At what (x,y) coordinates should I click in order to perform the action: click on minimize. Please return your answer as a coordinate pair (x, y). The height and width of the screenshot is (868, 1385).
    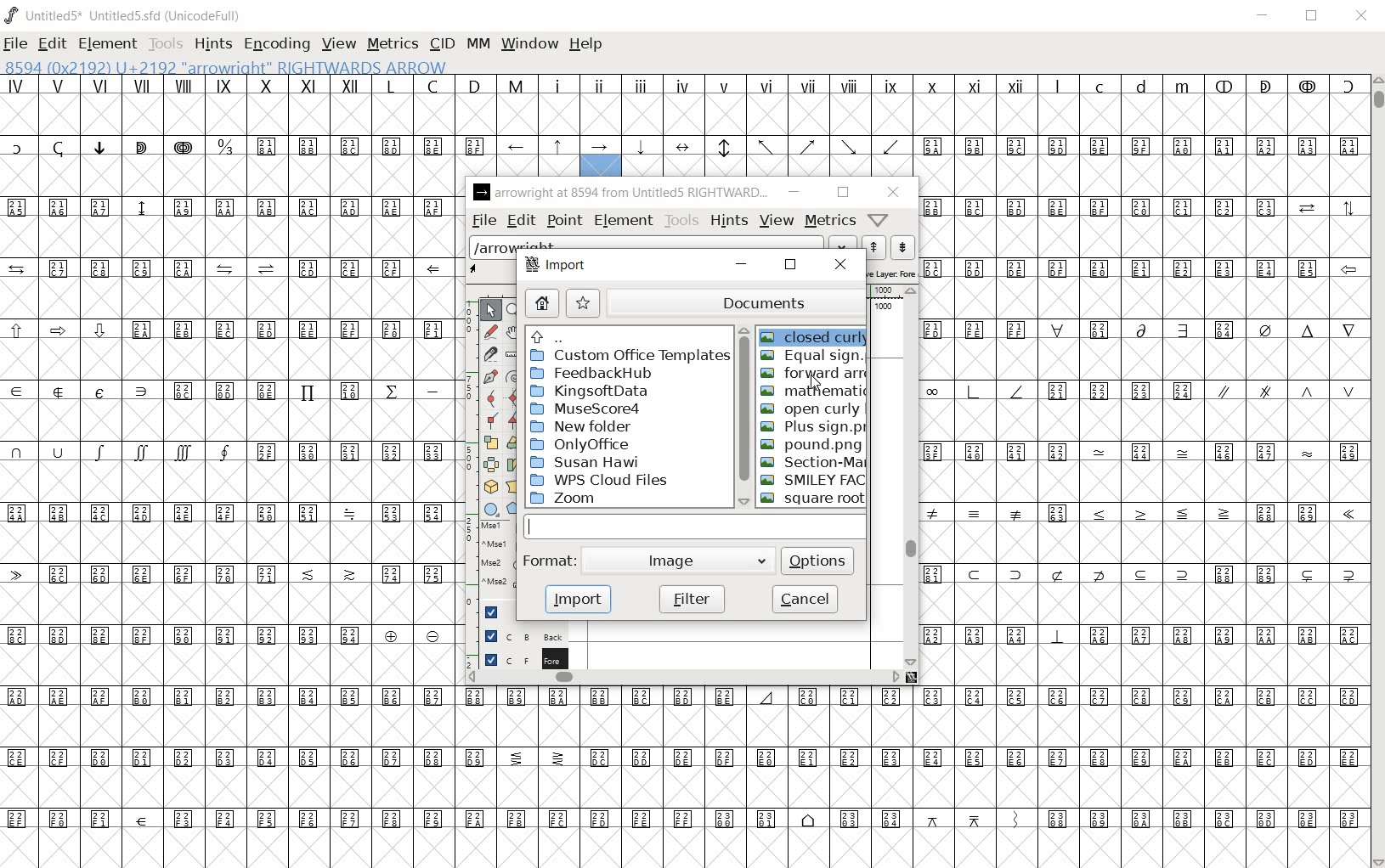
    Looking at the image, I should click on (740, 265).